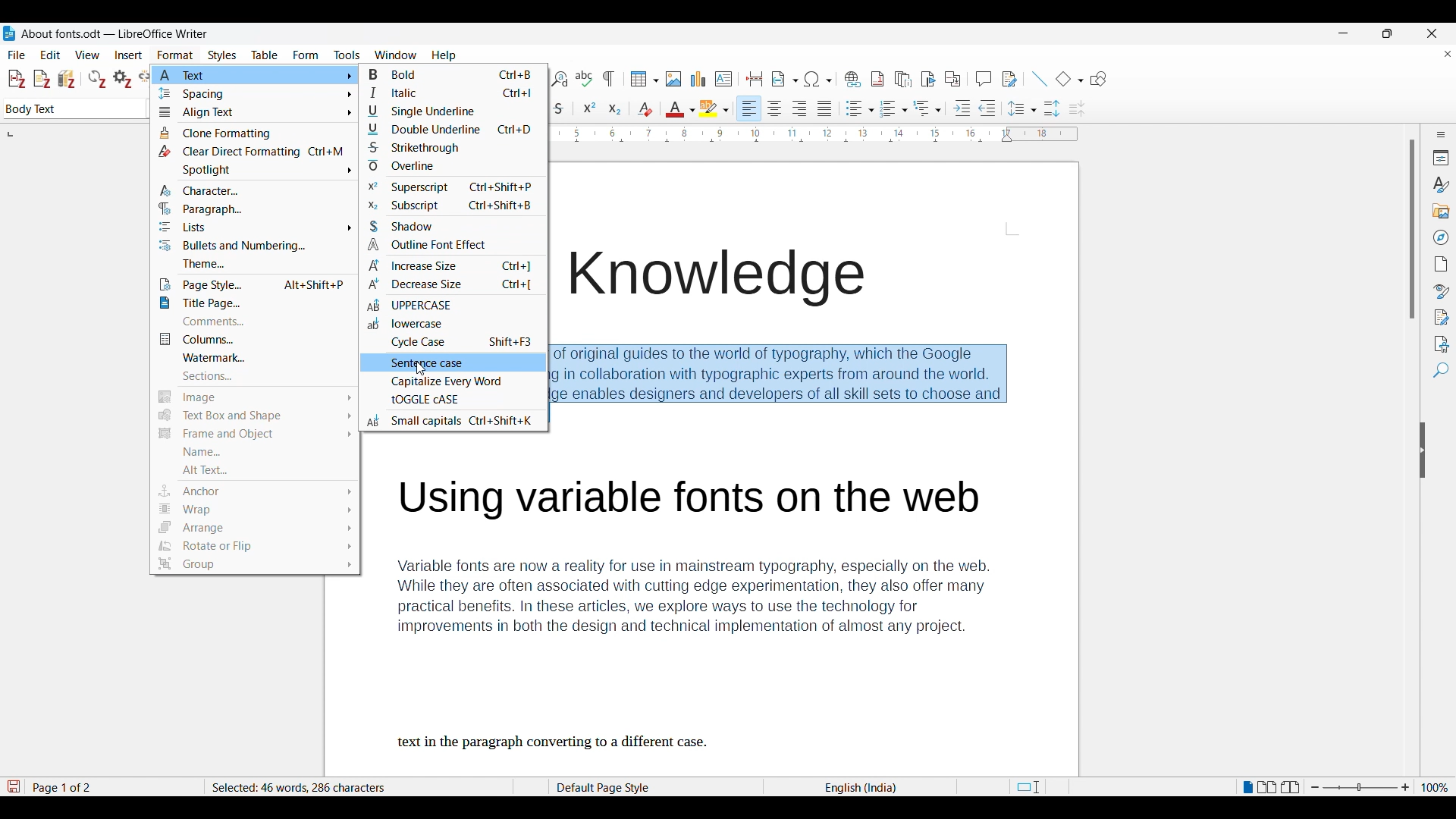 This screenshot has height=819, width=1456. What do you see at coordinates (785, 79) in the screenshot?
I see `Insert field` at bounding box center [785, 79].